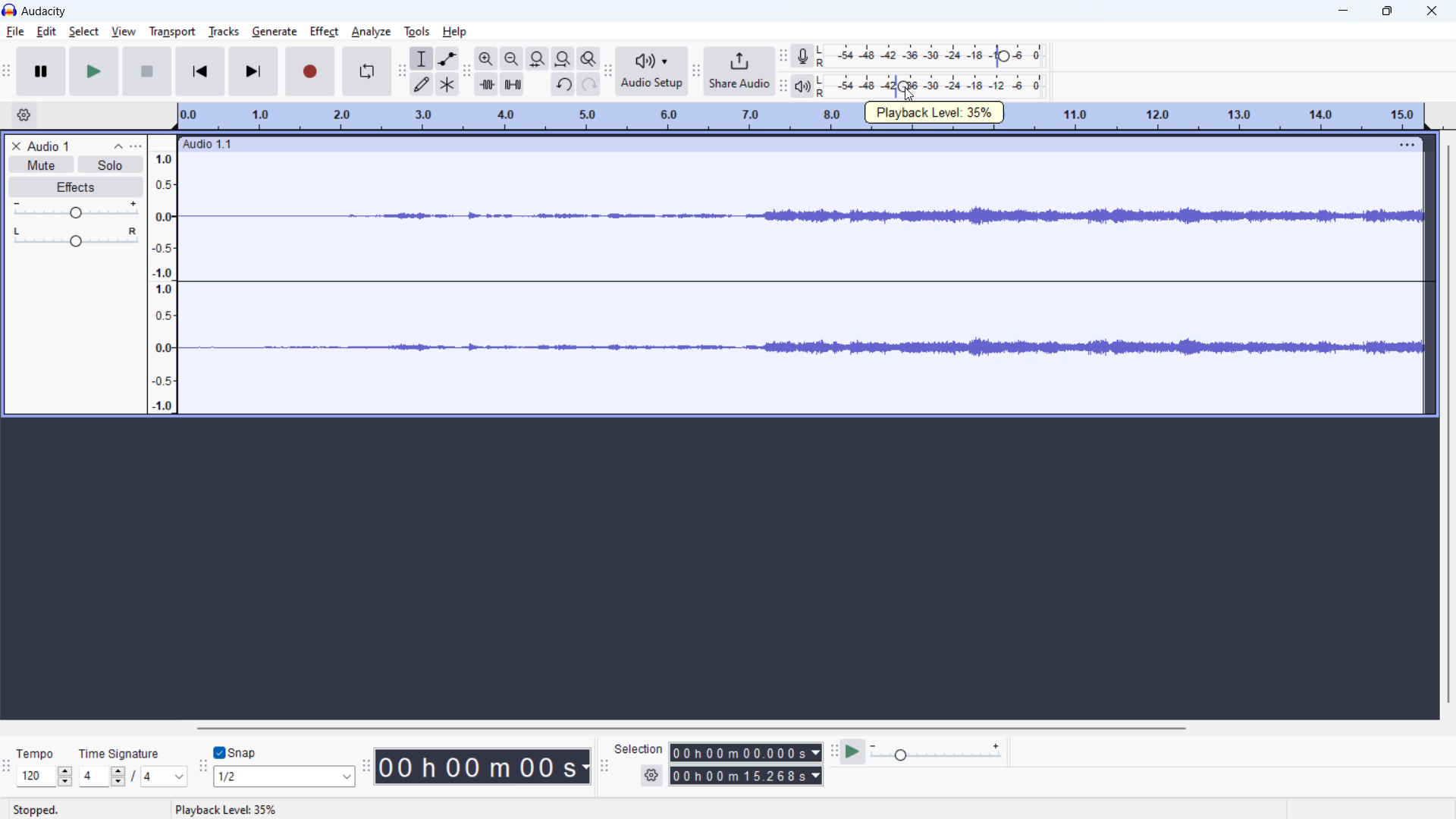 Image resolution: width=1456 pixels, height=819 pixels. What do you see at coordinates (366, 766) in the screenshot?
I see `time toolbar` at bounding box center [366, 766].